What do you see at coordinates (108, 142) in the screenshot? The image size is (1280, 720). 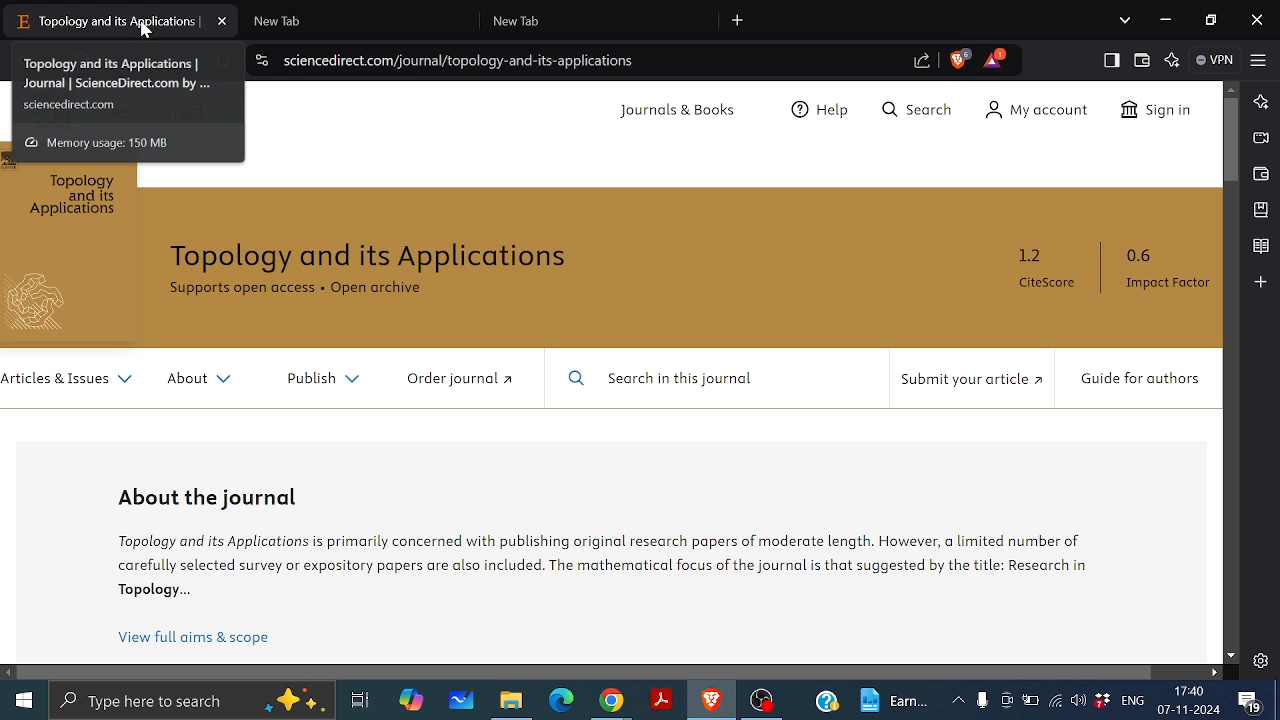 I see `Memory usage by current tab` at bounding box center [108, 142].